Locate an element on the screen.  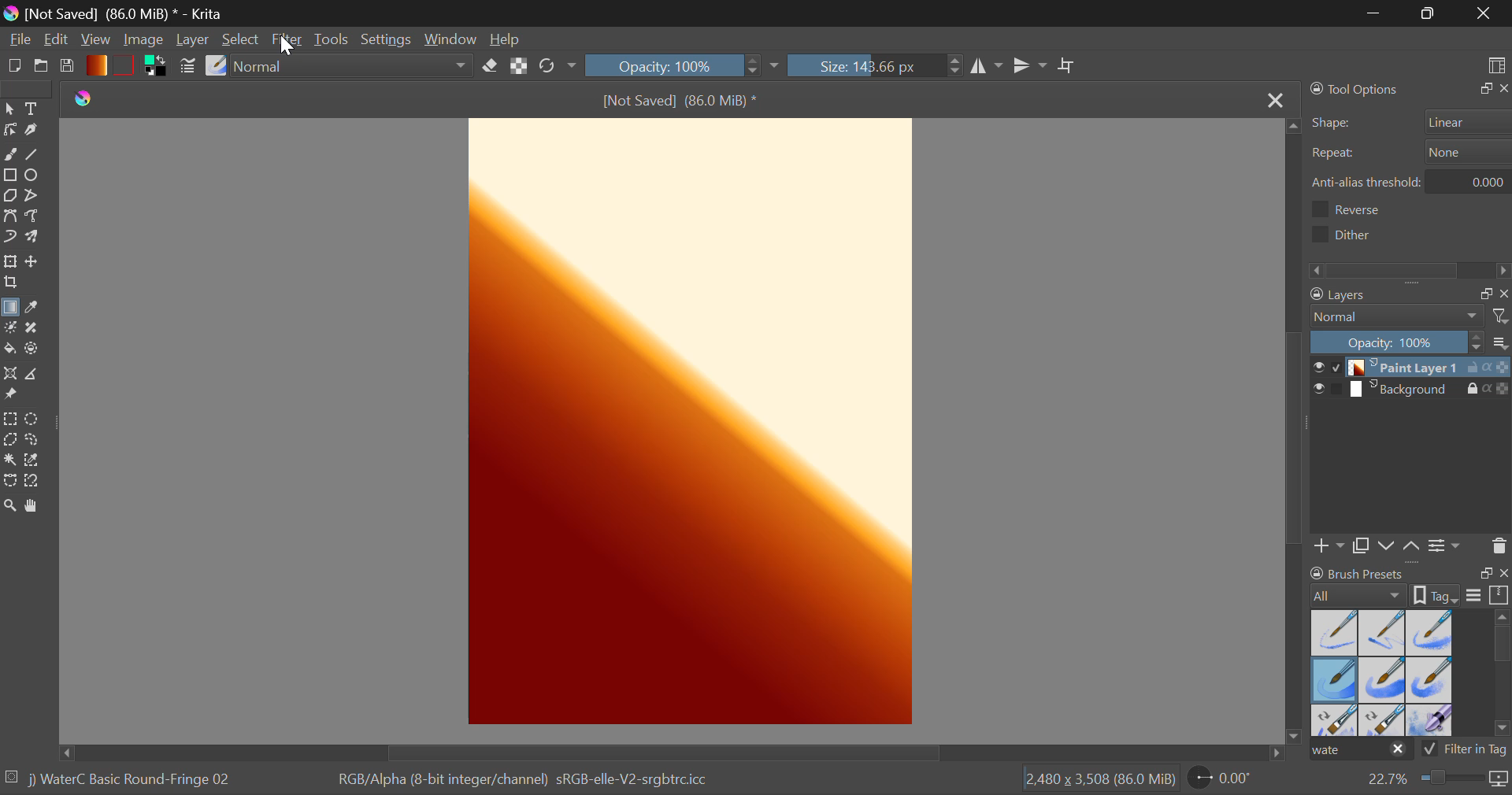
Gradient Fill is located at coordinates (11, 309).